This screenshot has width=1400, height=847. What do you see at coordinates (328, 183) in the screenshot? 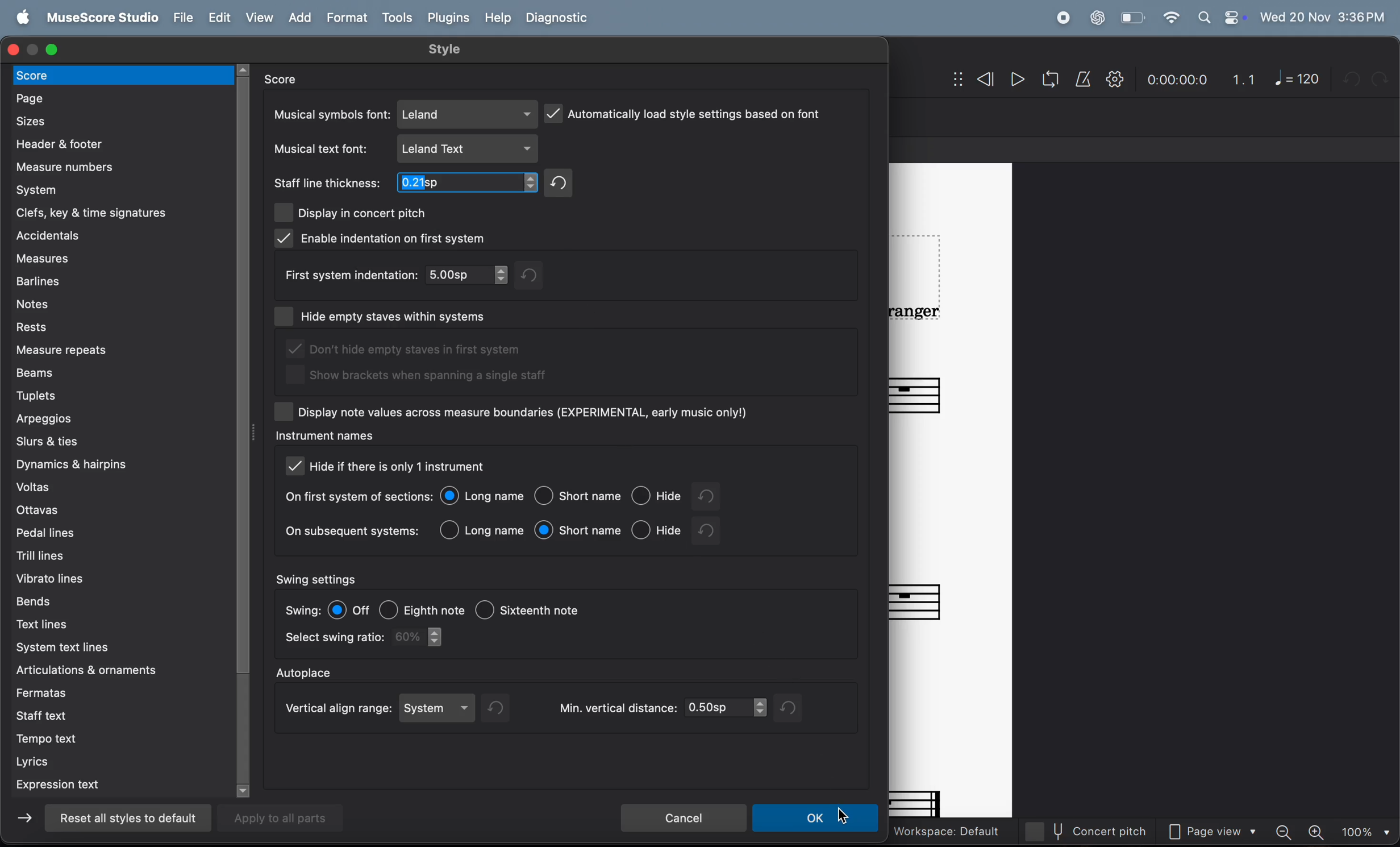
I see `staff line thickness` at bounding box center [328, 183].